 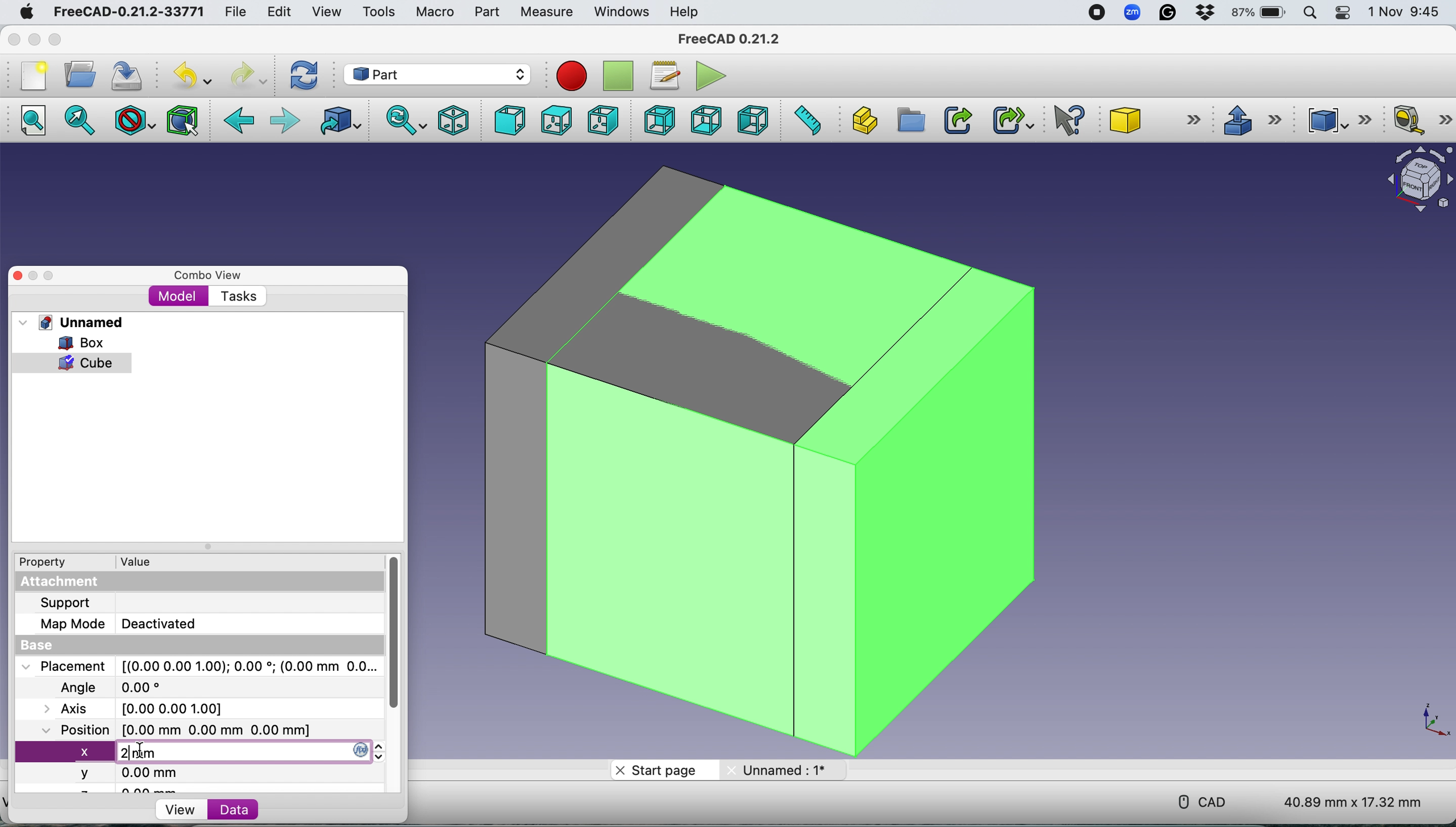 I want to click on screen recorder, so click(x=1095, y=13).